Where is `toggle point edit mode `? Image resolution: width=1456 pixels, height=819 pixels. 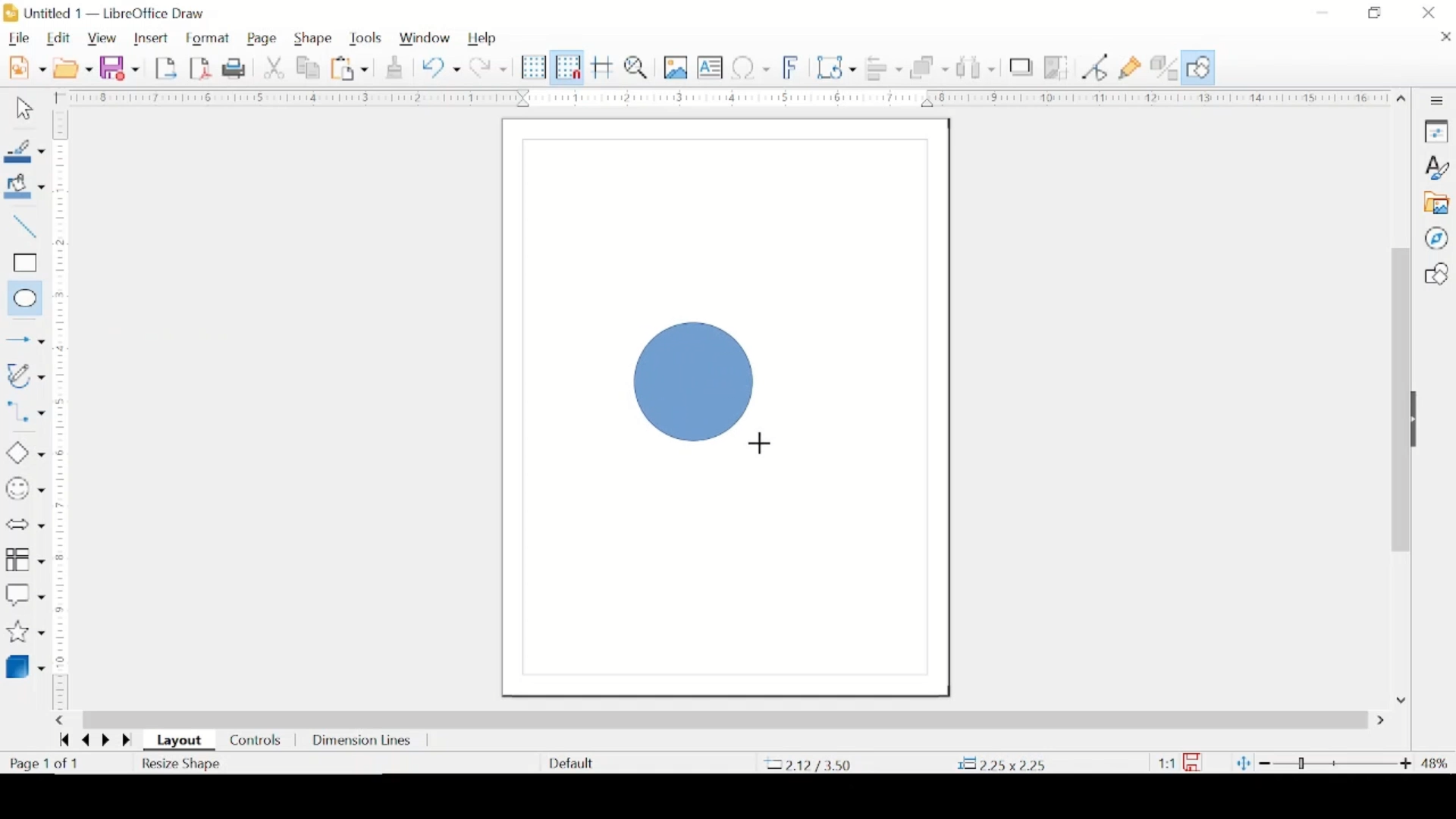
toggle point edit mode  is located at coordinates (1096, 67).